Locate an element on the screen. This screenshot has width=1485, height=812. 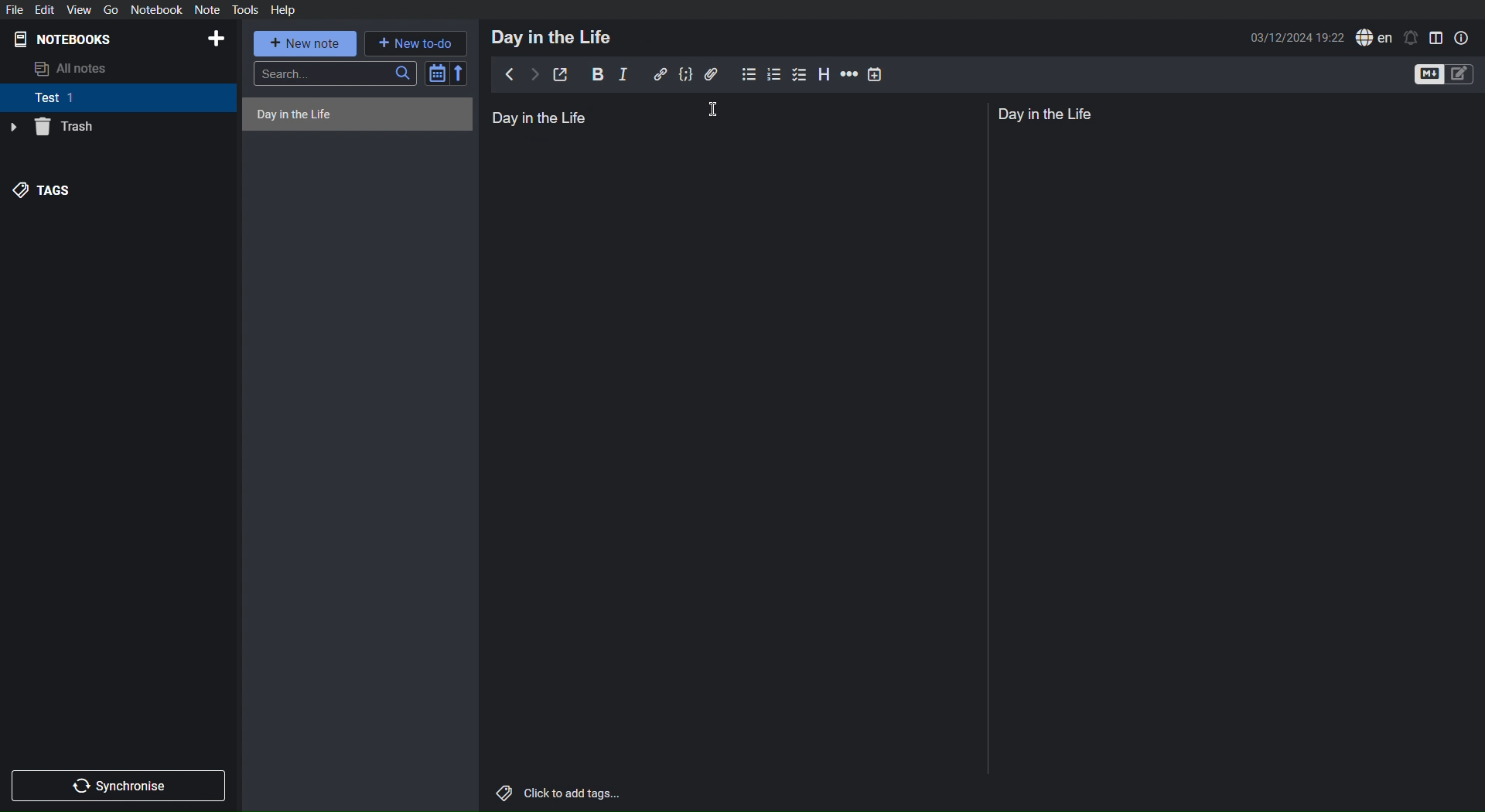
Notebooks is located at coordinates (63, 39).